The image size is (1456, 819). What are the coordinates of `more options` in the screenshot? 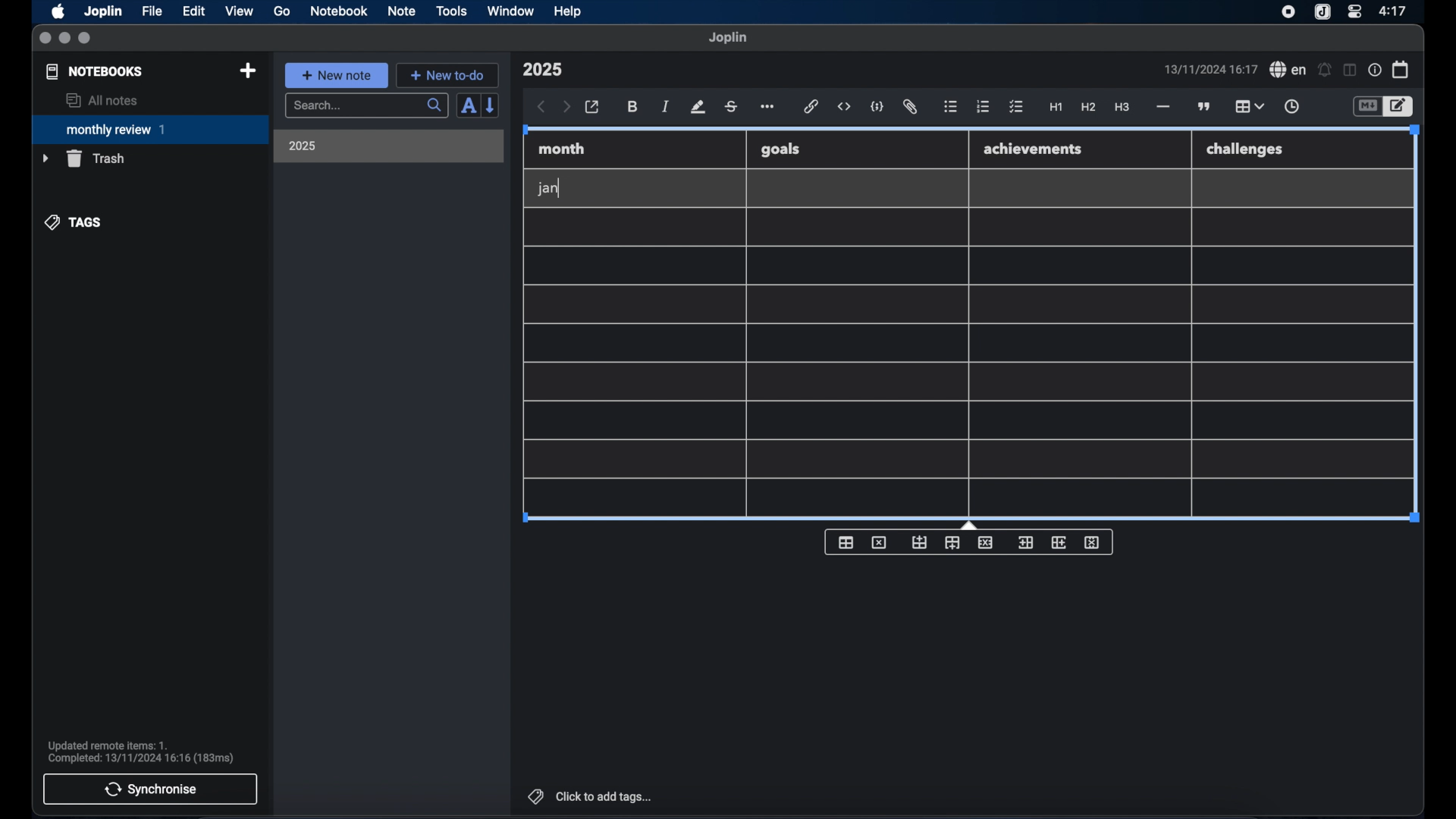 It's located at (769, 108).